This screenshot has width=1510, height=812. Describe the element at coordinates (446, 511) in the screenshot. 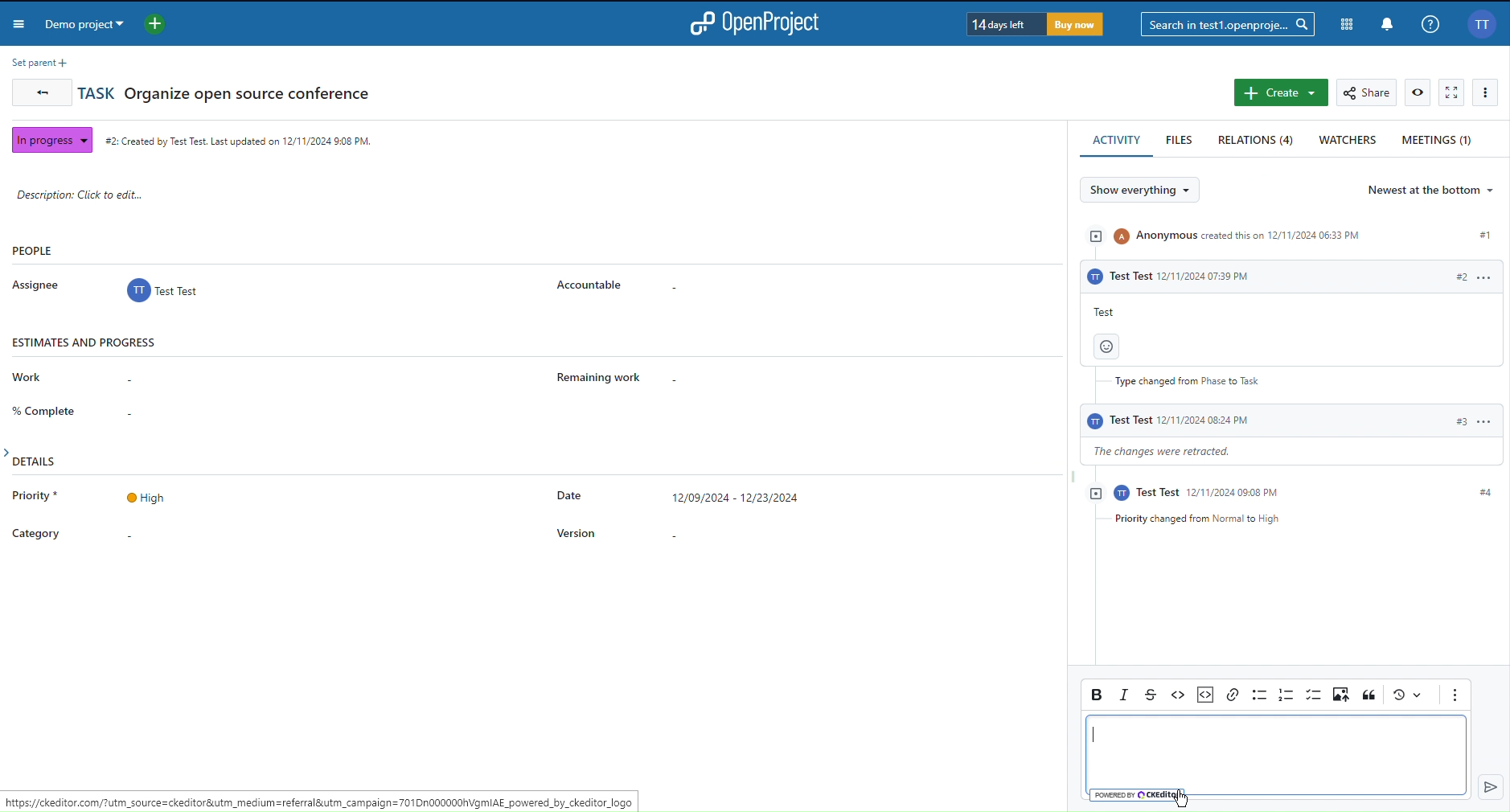

I see `Details` at that location.